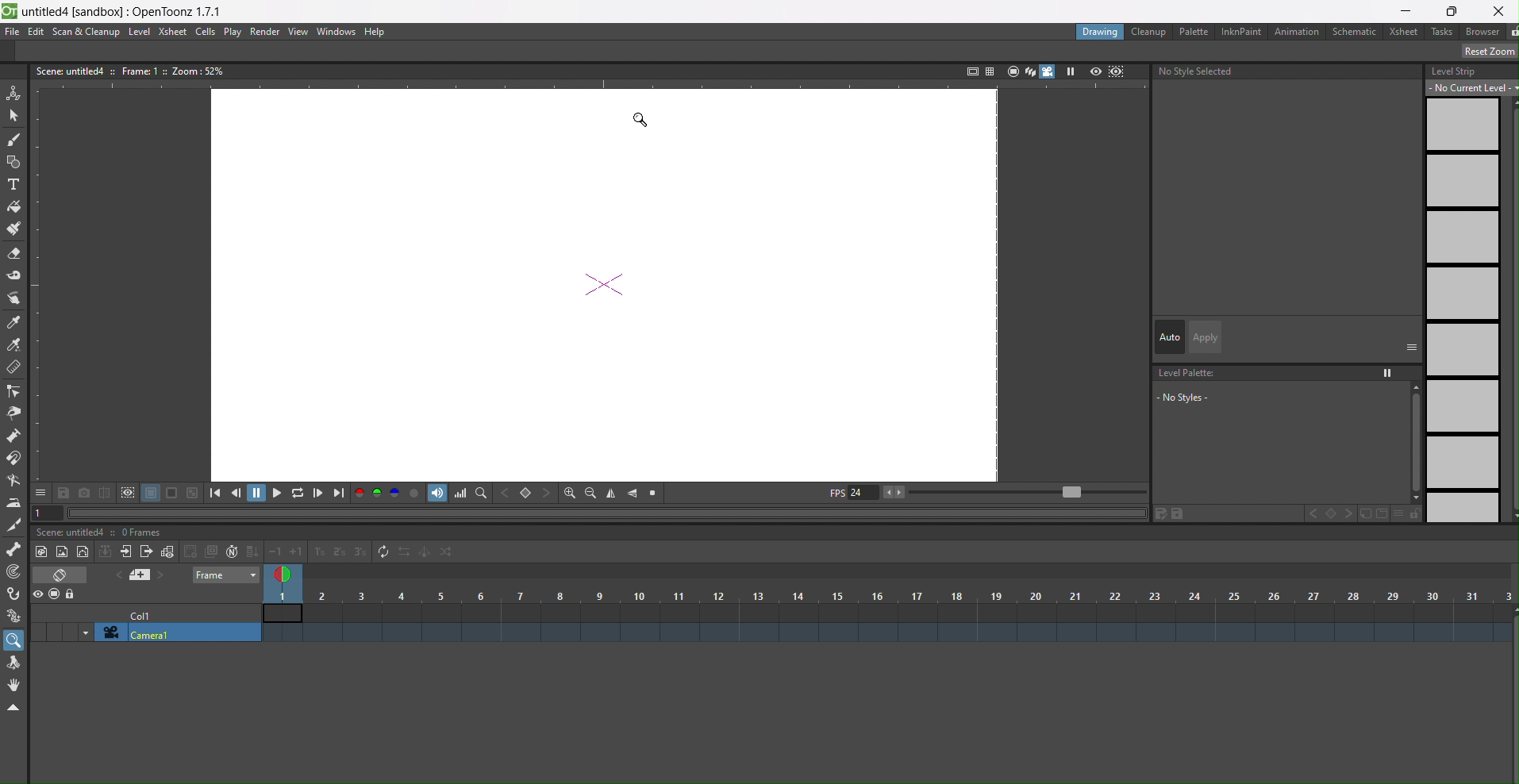  Describe the element at coordinates (14, 662) in the screenshot. I see `` at that location.